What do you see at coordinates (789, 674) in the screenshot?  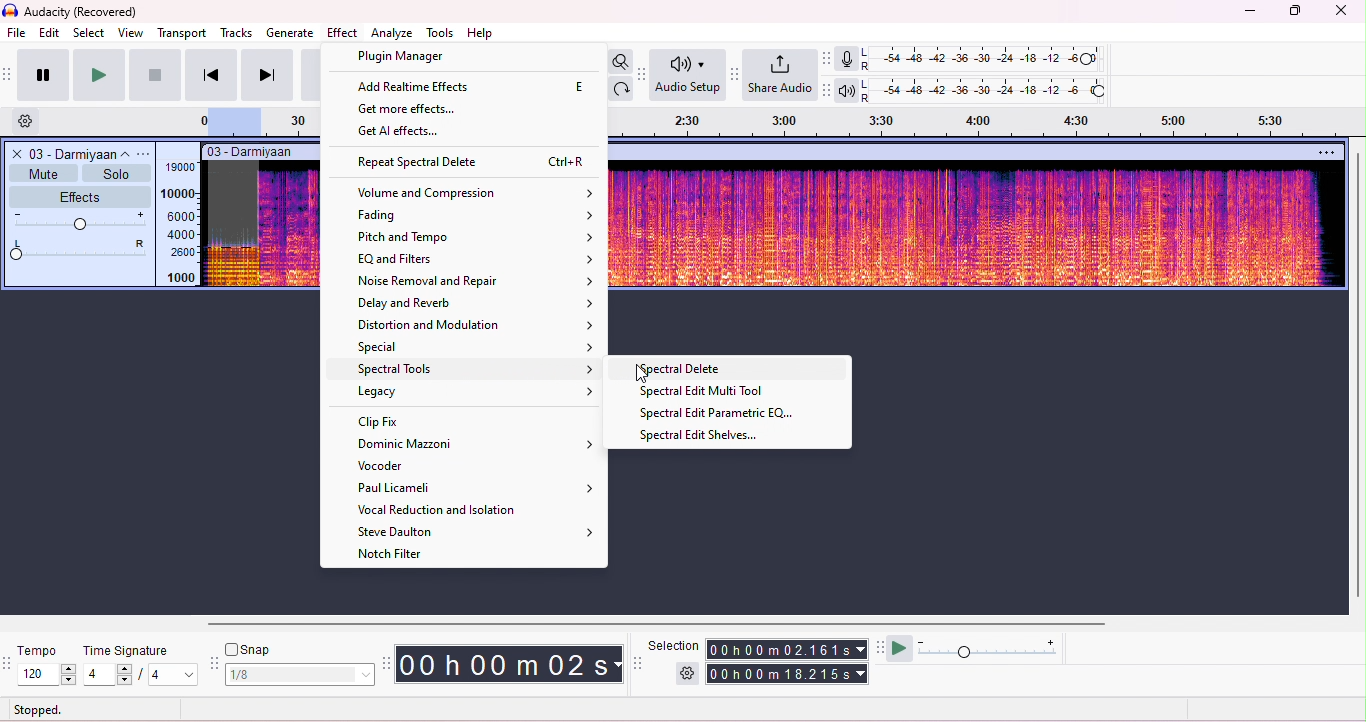 I see `total time` at bounding box center [789, 674].